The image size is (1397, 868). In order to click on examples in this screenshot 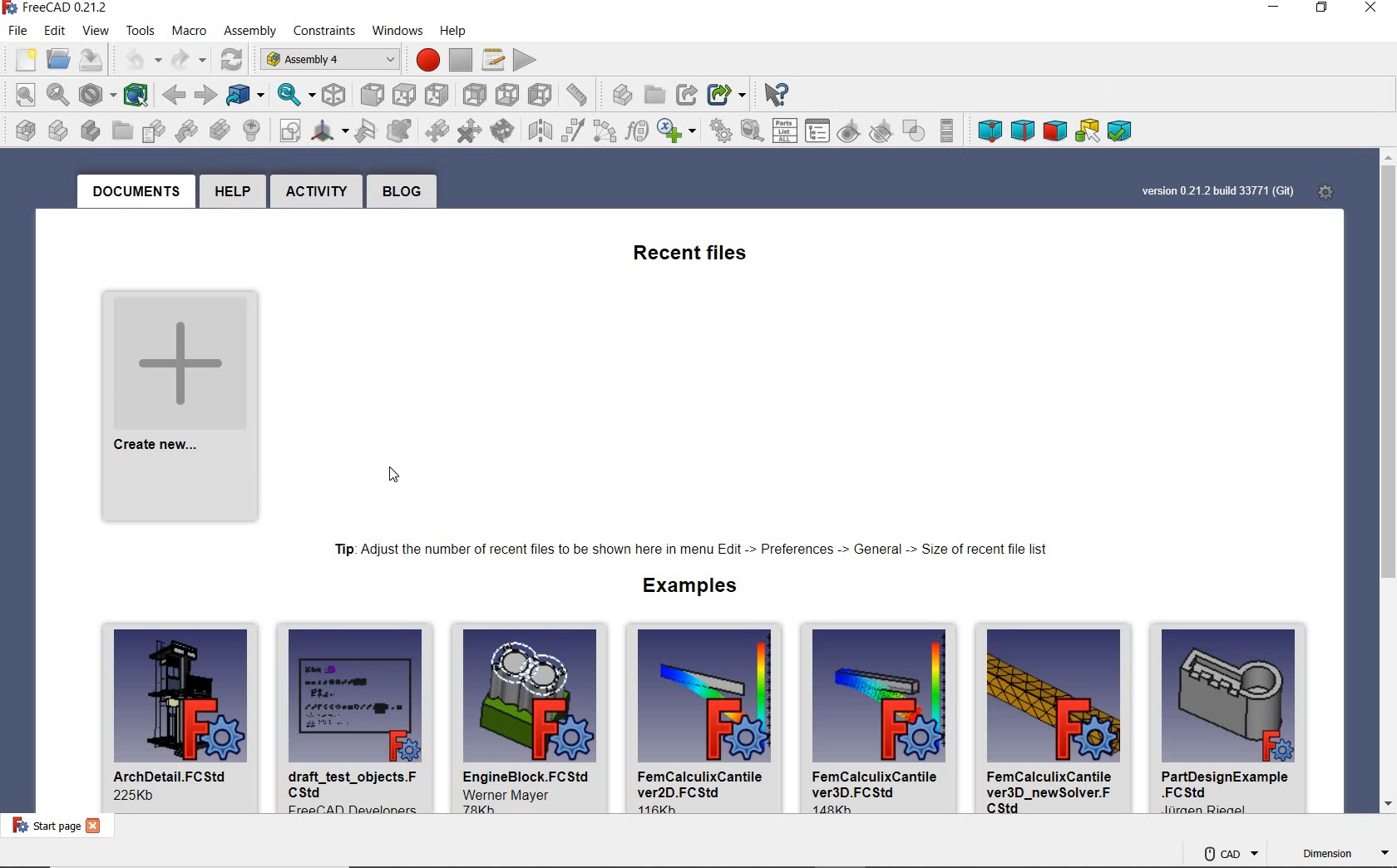, I will do `click(688, 584)`.